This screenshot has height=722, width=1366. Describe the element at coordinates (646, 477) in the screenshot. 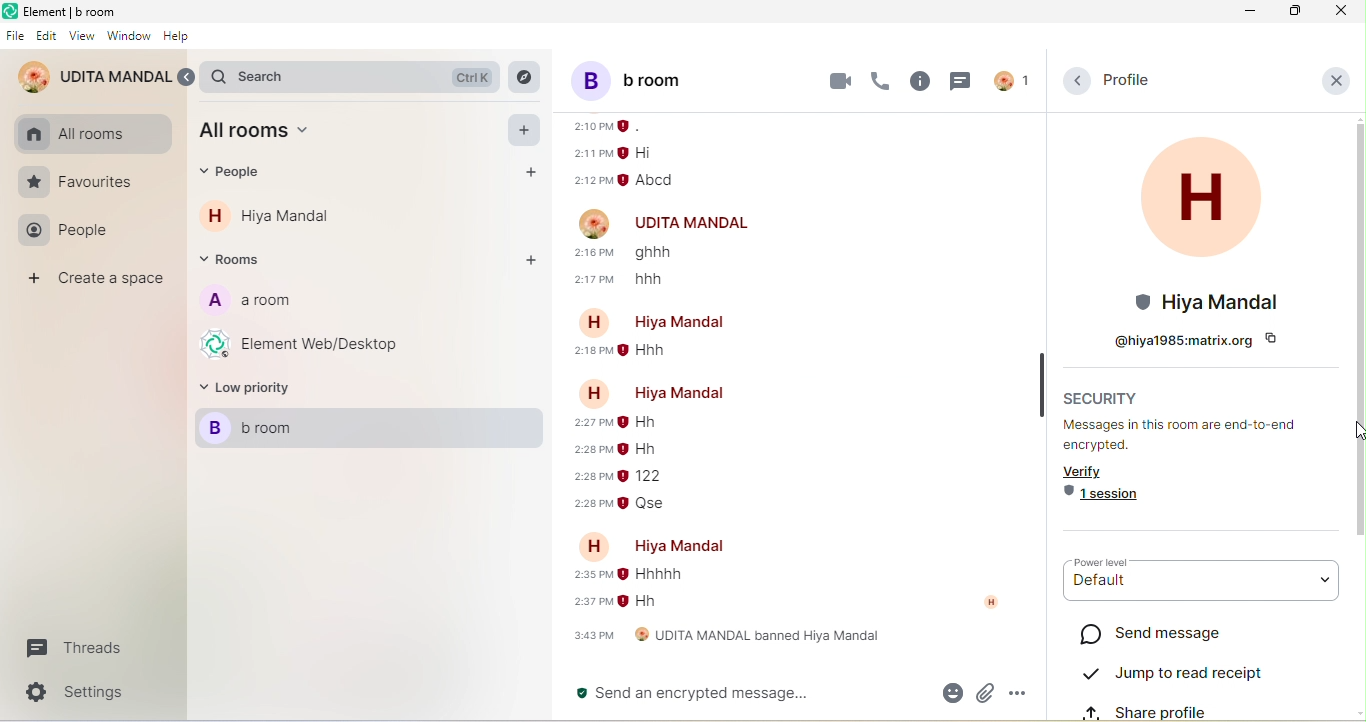

I see `122-older message from hiya mandal` at that location.